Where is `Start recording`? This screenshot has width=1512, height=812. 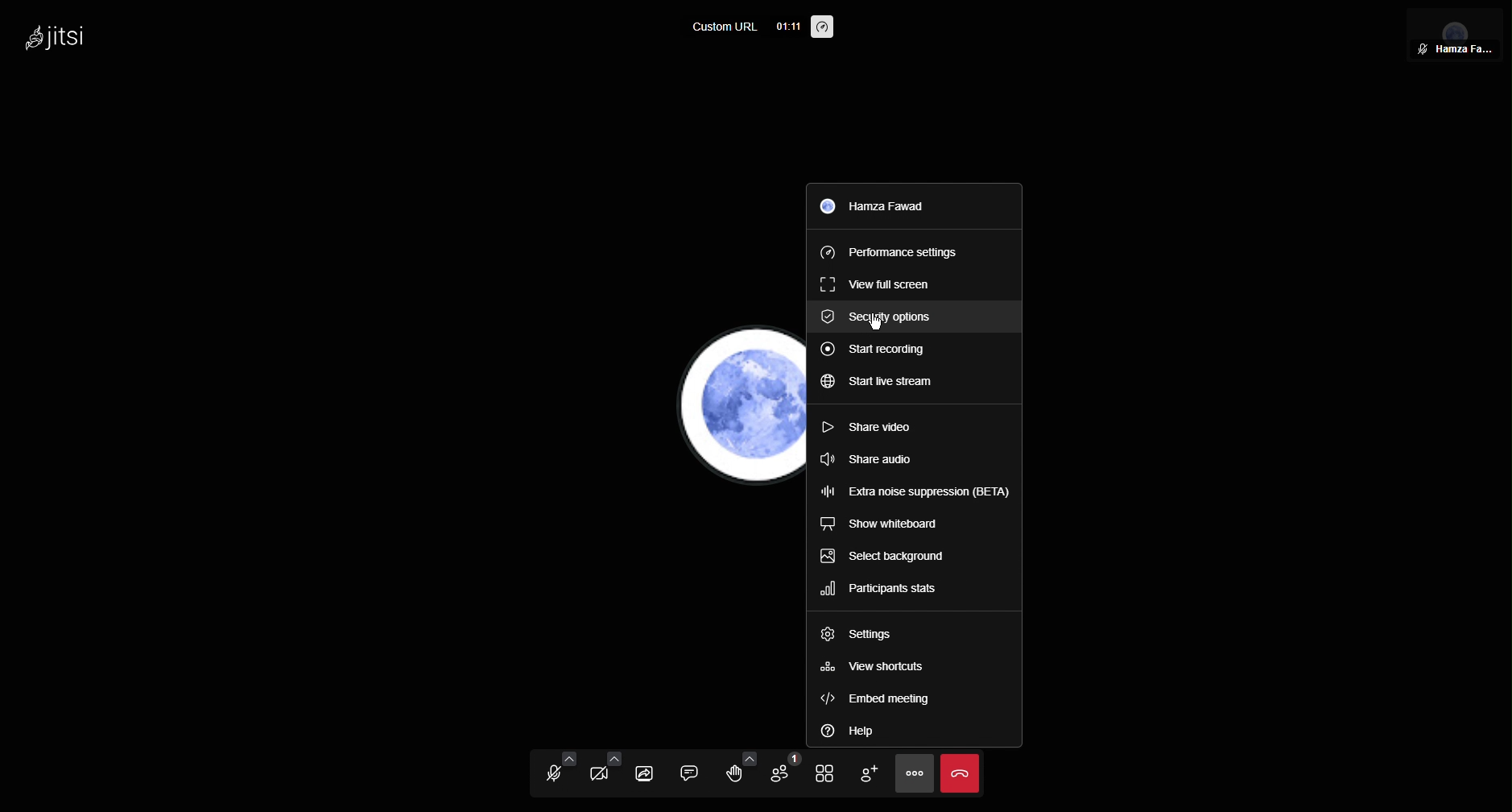
Start recording is located at coordinates (878, 349).